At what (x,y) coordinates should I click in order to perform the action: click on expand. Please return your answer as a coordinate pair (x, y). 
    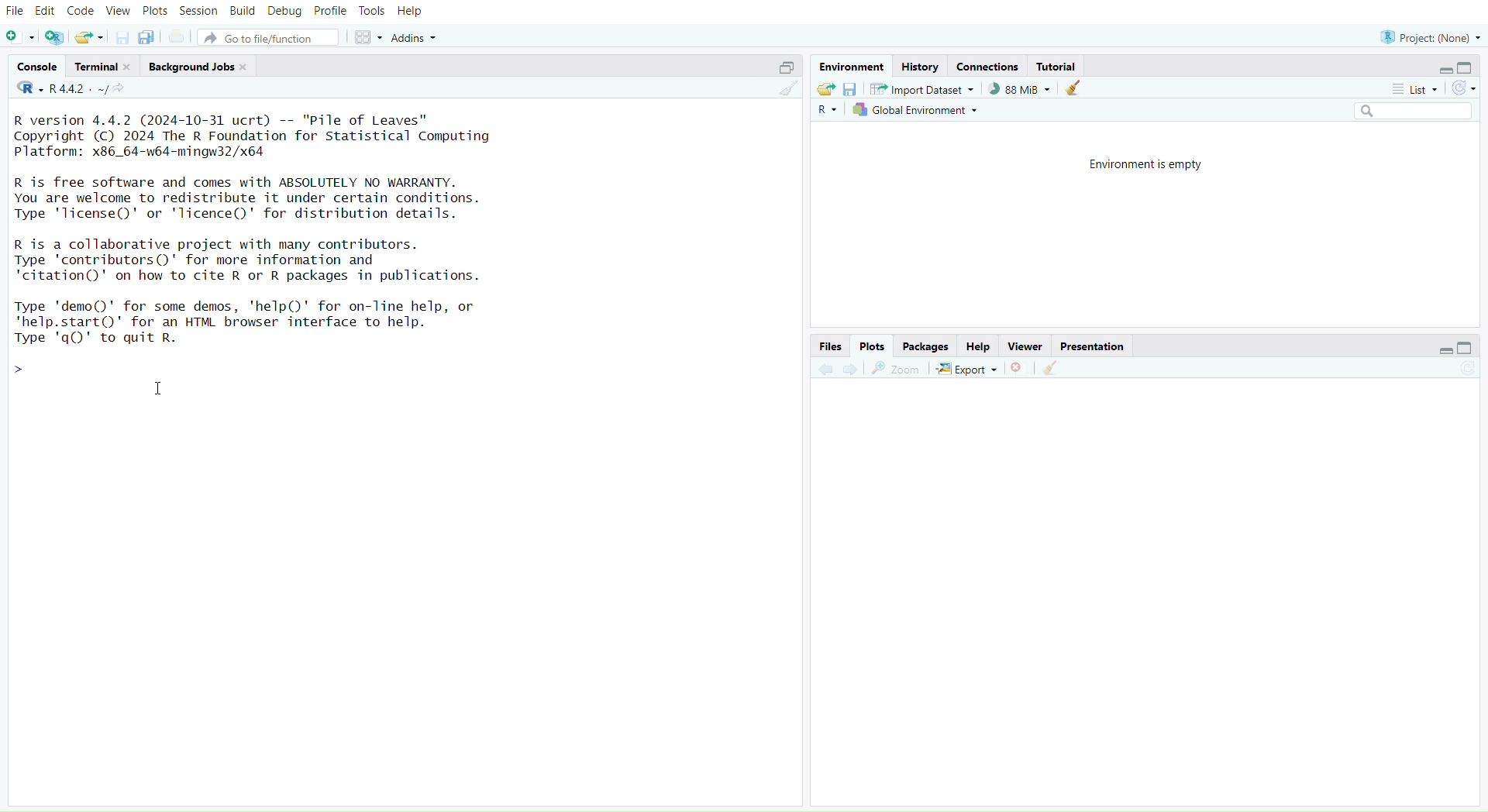
    Looking at the image, I should click on (1440, 351).